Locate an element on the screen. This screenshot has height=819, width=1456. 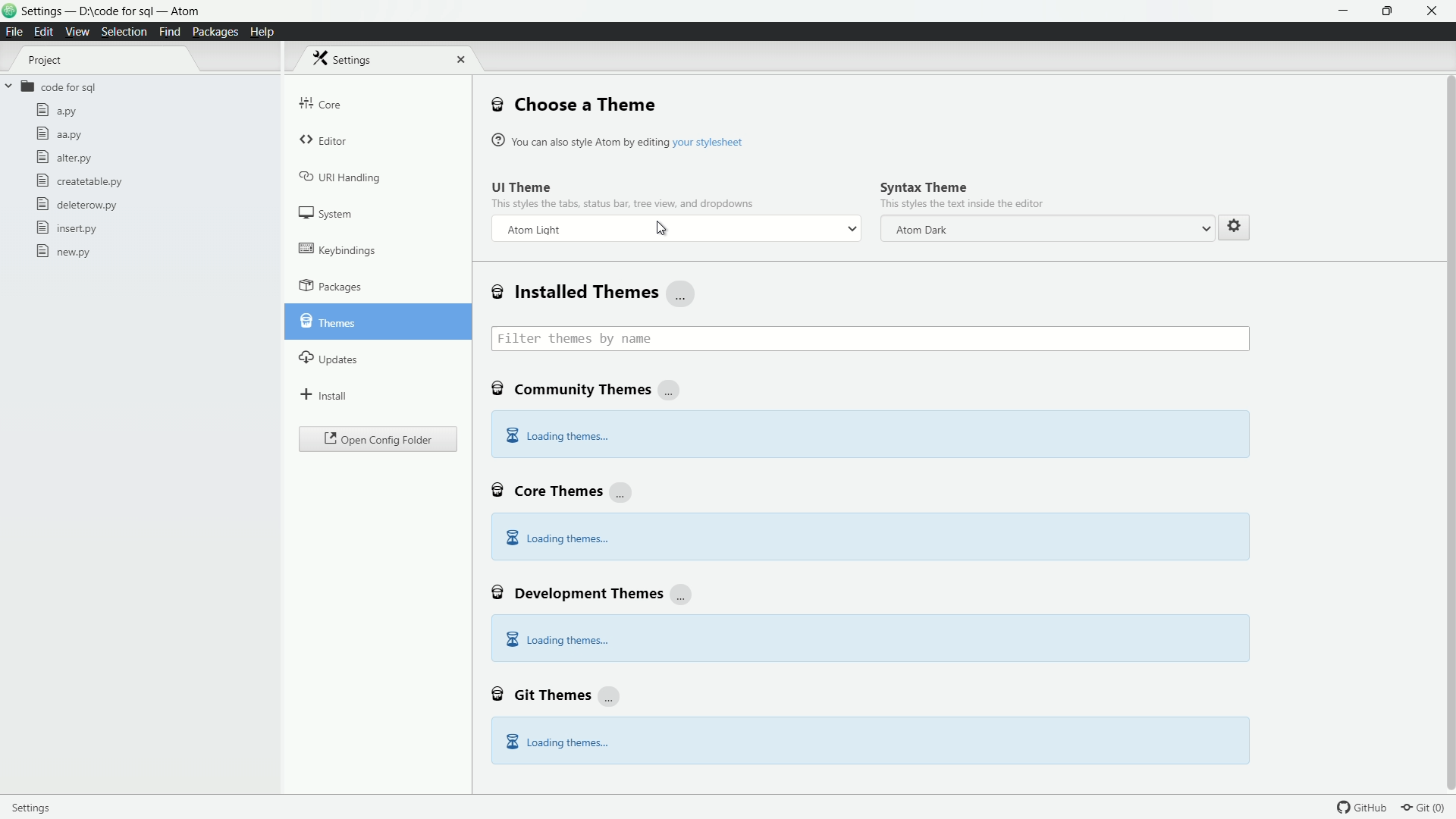
alter.py file is located at coordinates (63, 157).